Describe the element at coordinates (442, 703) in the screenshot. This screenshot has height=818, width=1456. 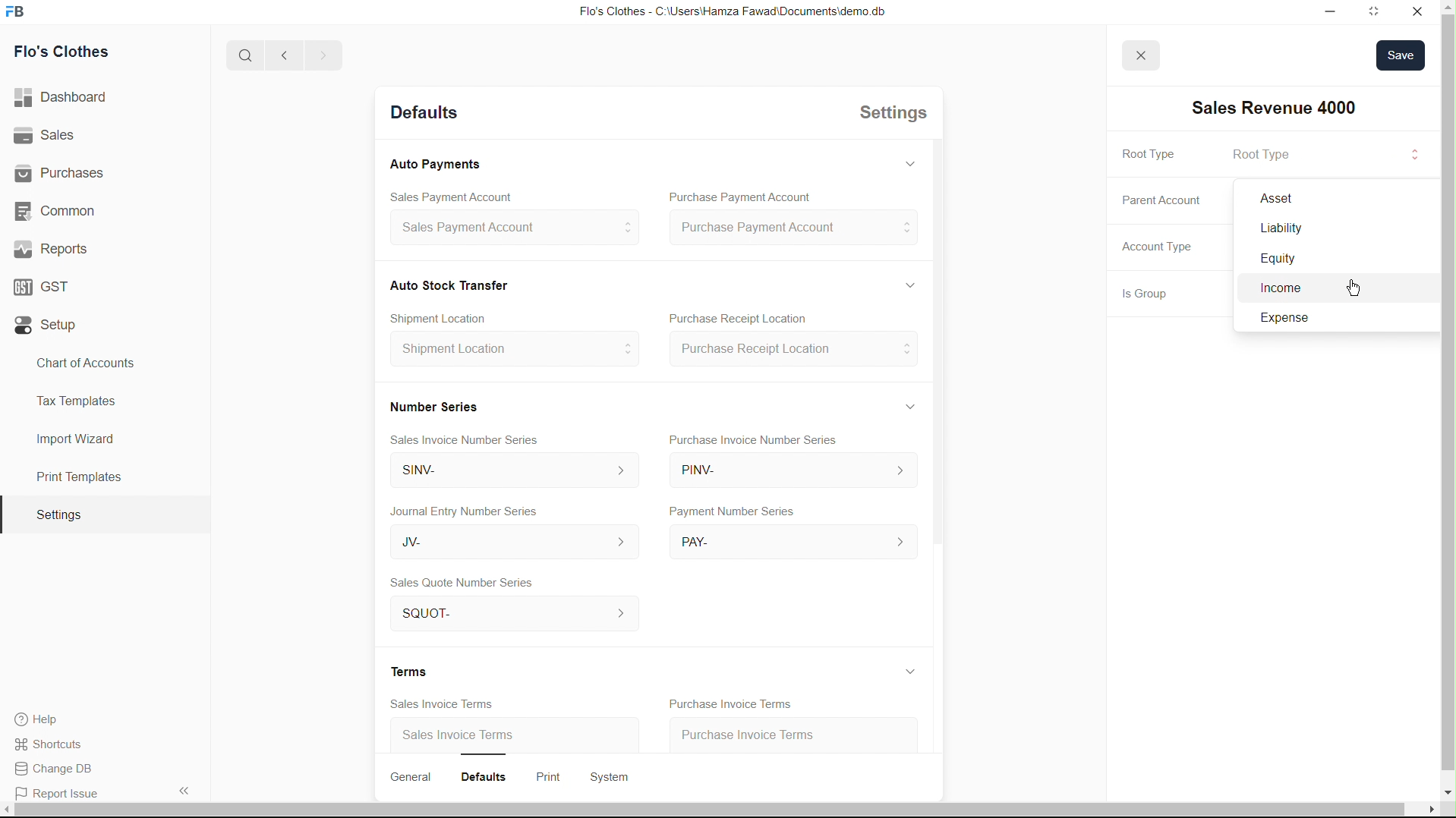
I see `Sales Invoice Terms` at that location.